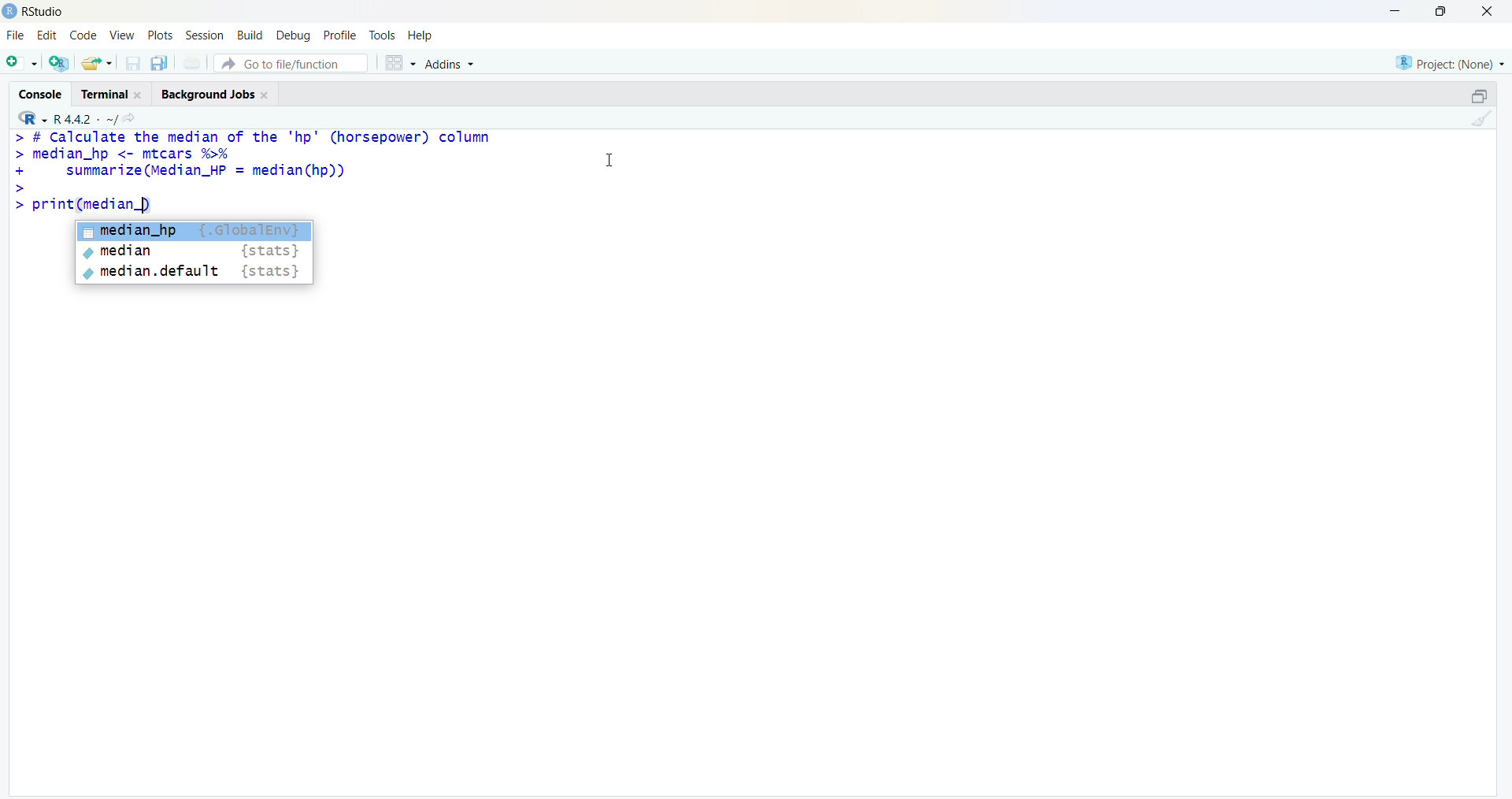 The width and height of the screenshot is (1512, 799). What do you see at coordinates (87, 119) in the screenshot?
I see `R 4.4.2 ~/` at bounding box center [87, 119].